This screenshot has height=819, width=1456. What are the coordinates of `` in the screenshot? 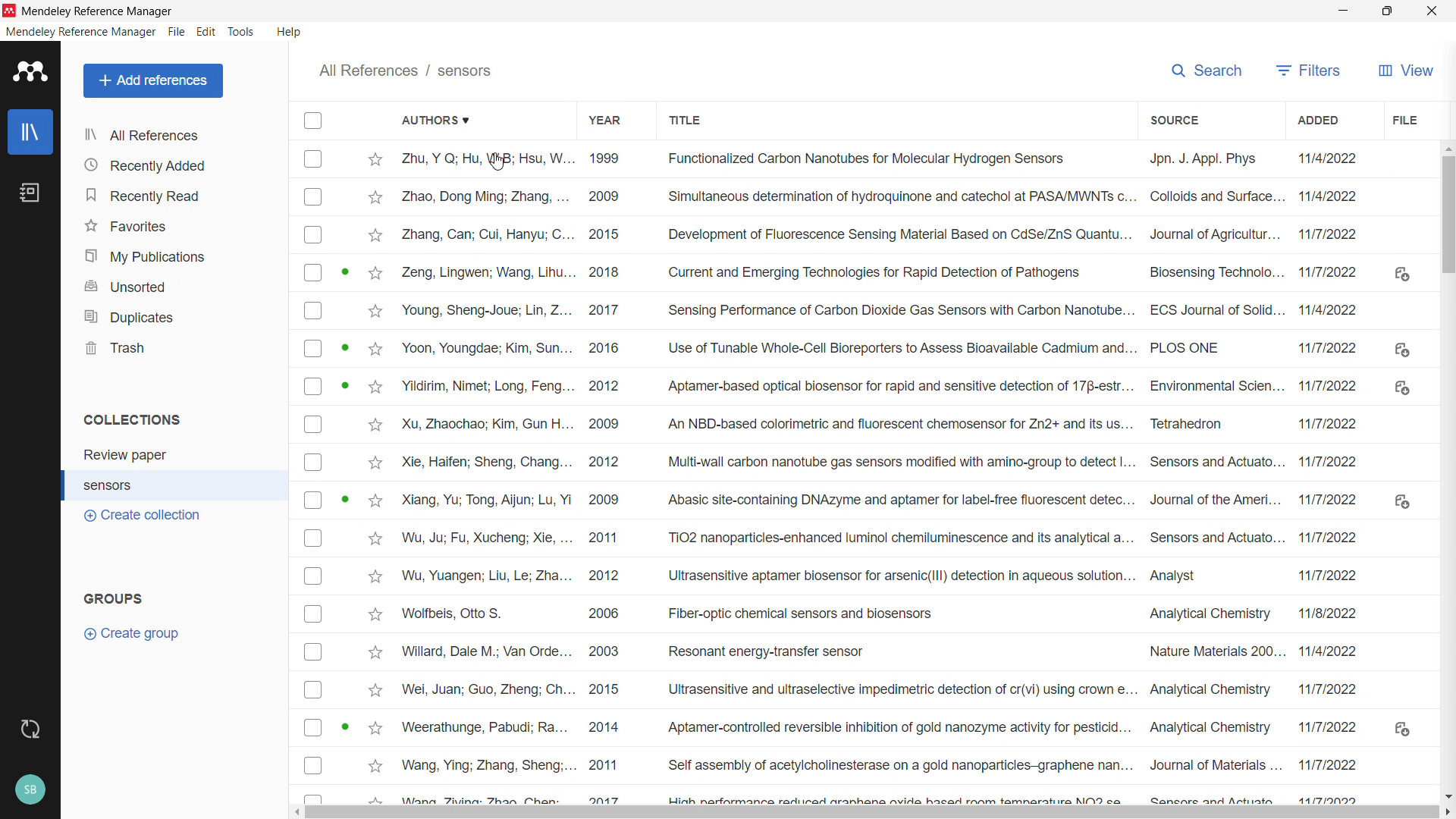 It's located at (1431, 11).